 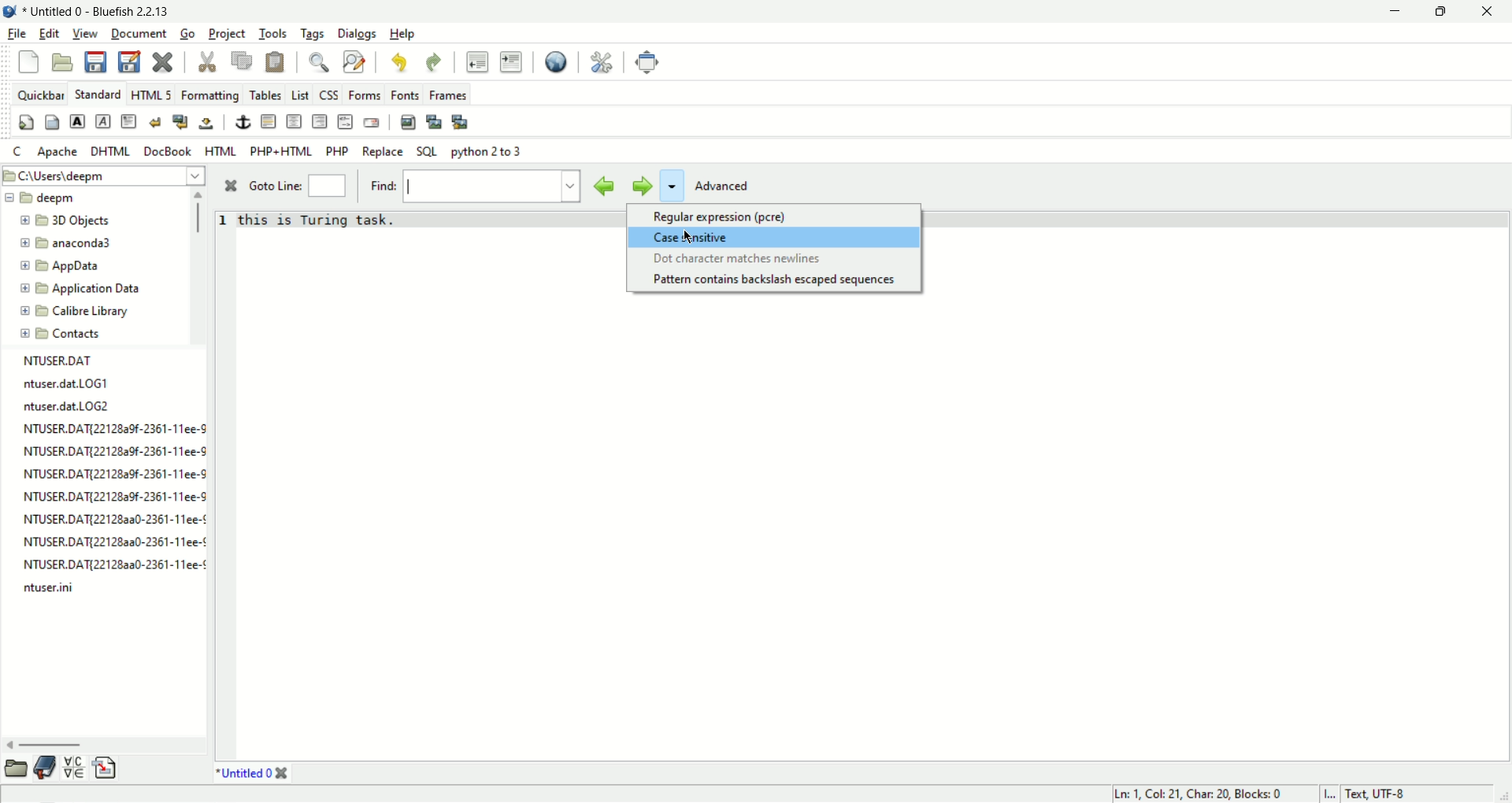 I want to click on file browser, so click(x=15, y=767).